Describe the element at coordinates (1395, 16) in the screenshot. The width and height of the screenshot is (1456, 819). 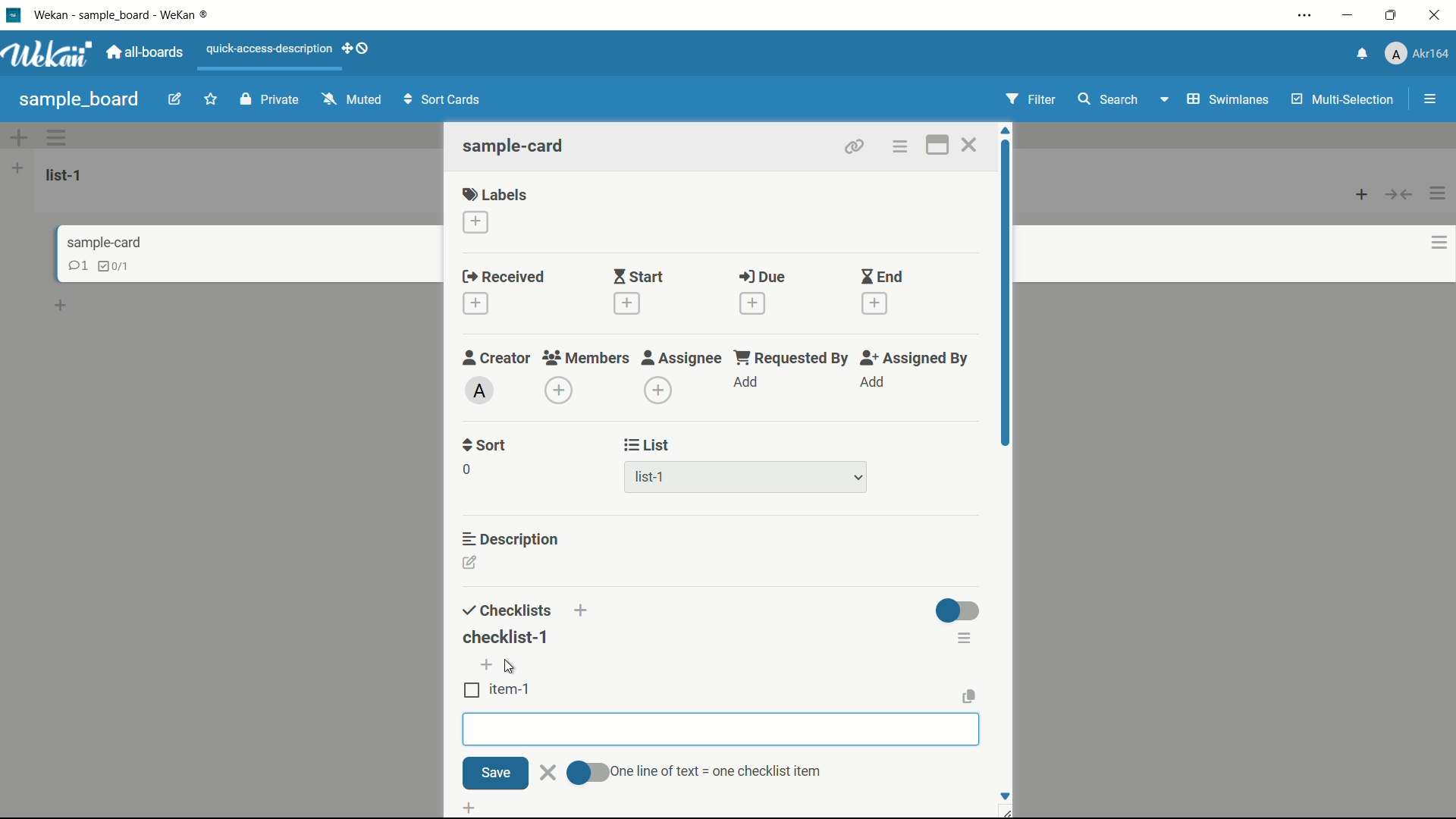
I see `maximize` at that location.